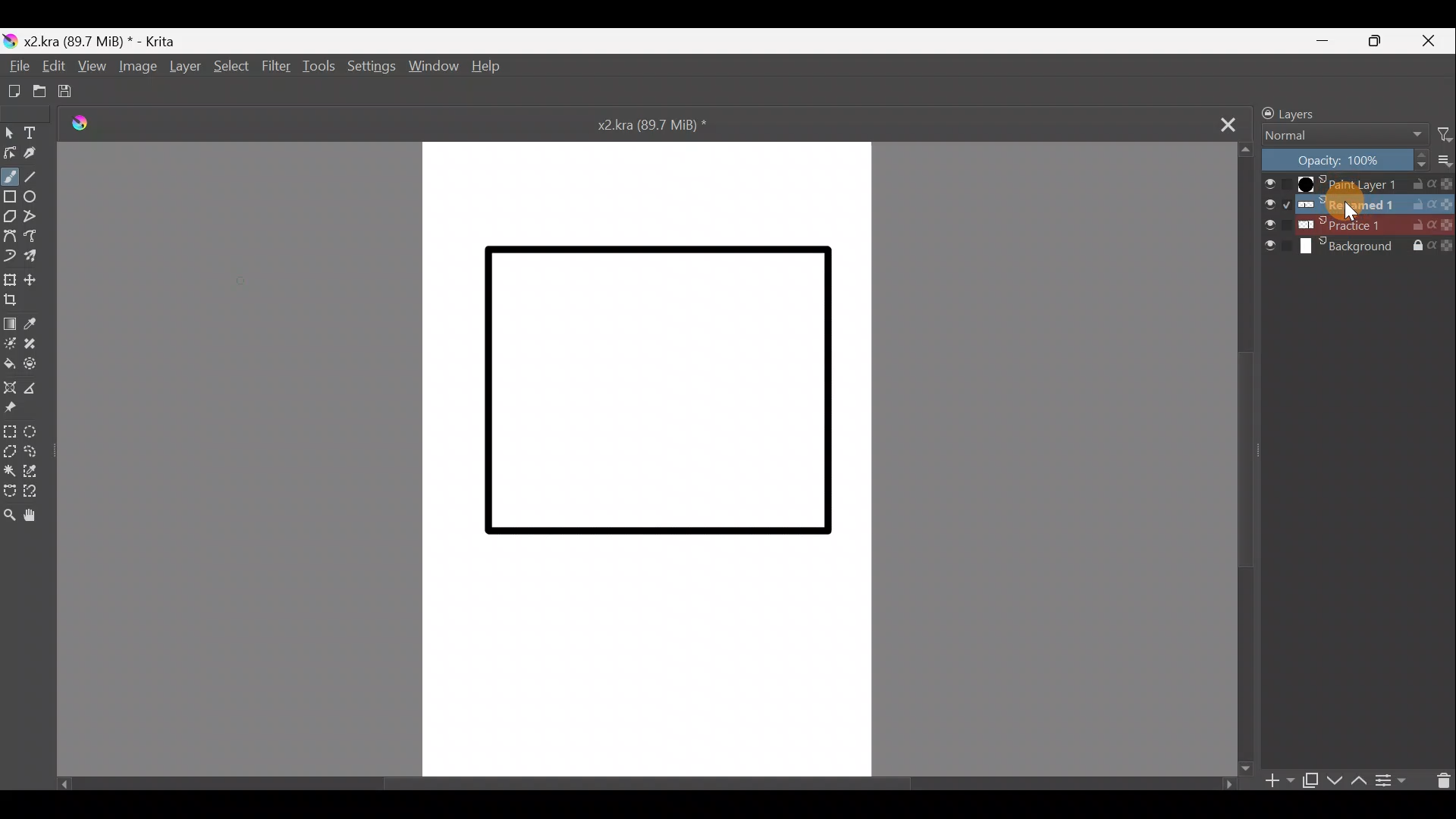 The width and height of the screenshot is (1456, 819). I want to click on Practice 1, so click(1357, 224).